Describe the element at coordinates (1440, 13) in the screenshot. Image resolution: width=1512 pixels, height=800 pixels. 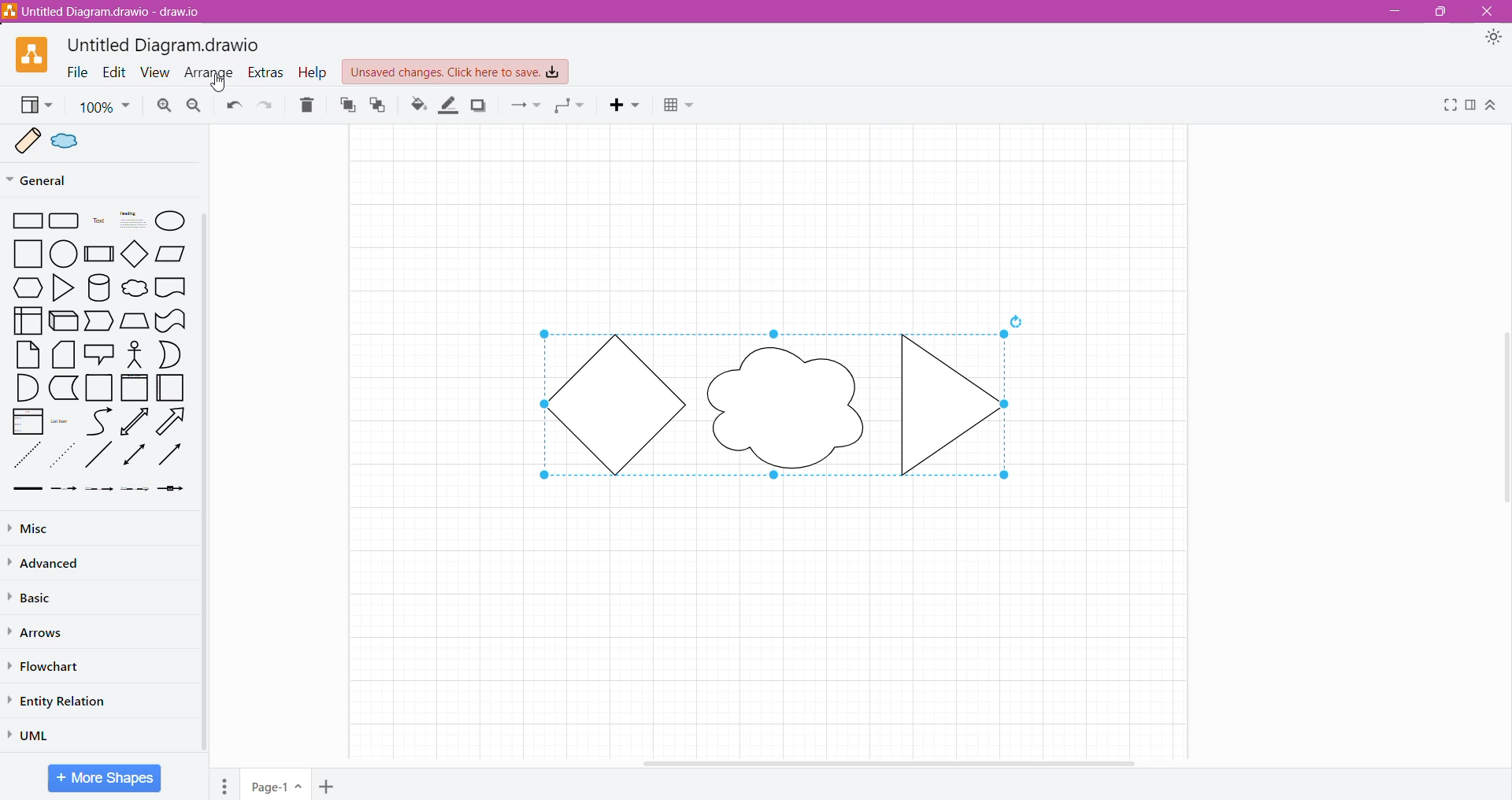
I see `Restore Down` at that location.